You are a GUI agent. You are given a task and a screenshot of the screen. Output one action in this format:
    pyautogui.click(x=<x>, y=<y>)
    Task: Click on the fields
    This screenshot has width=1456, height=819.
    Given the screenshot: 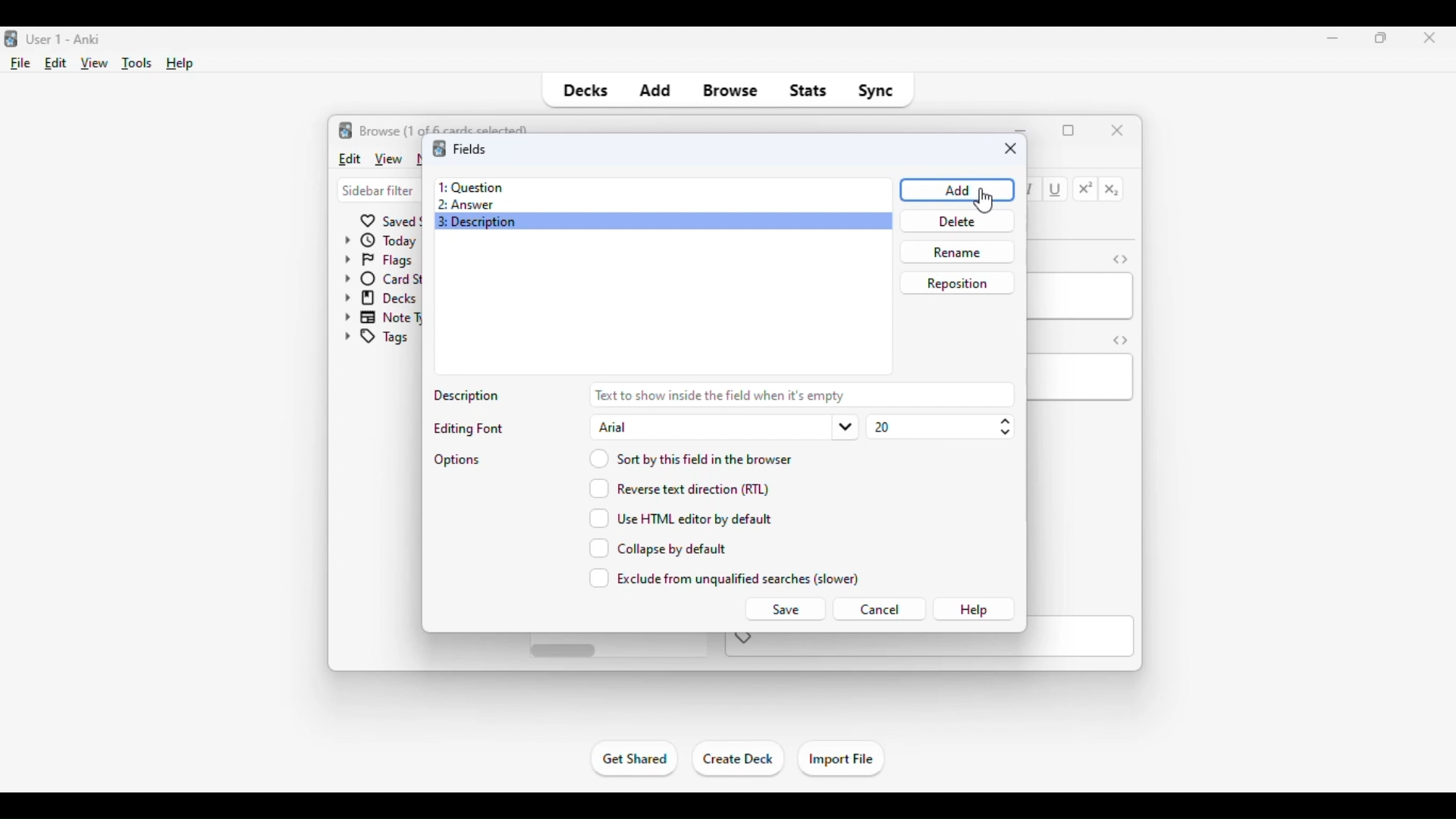 What is the action you would take?
    pyautogui.click(x=469, y=148)
    